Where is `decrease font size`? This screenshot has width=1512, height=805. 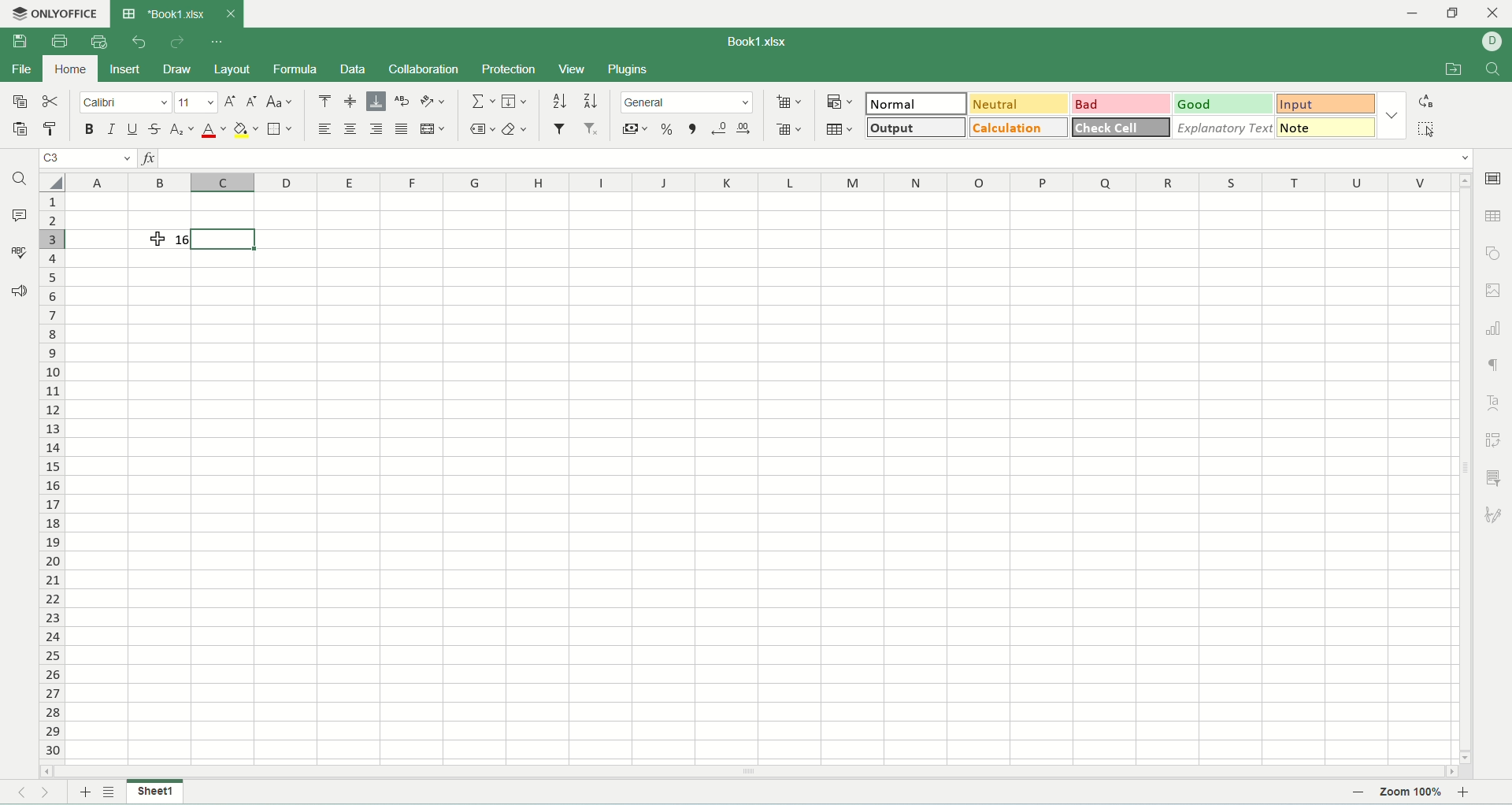 decrease font size is located at coordinates (251, 102).